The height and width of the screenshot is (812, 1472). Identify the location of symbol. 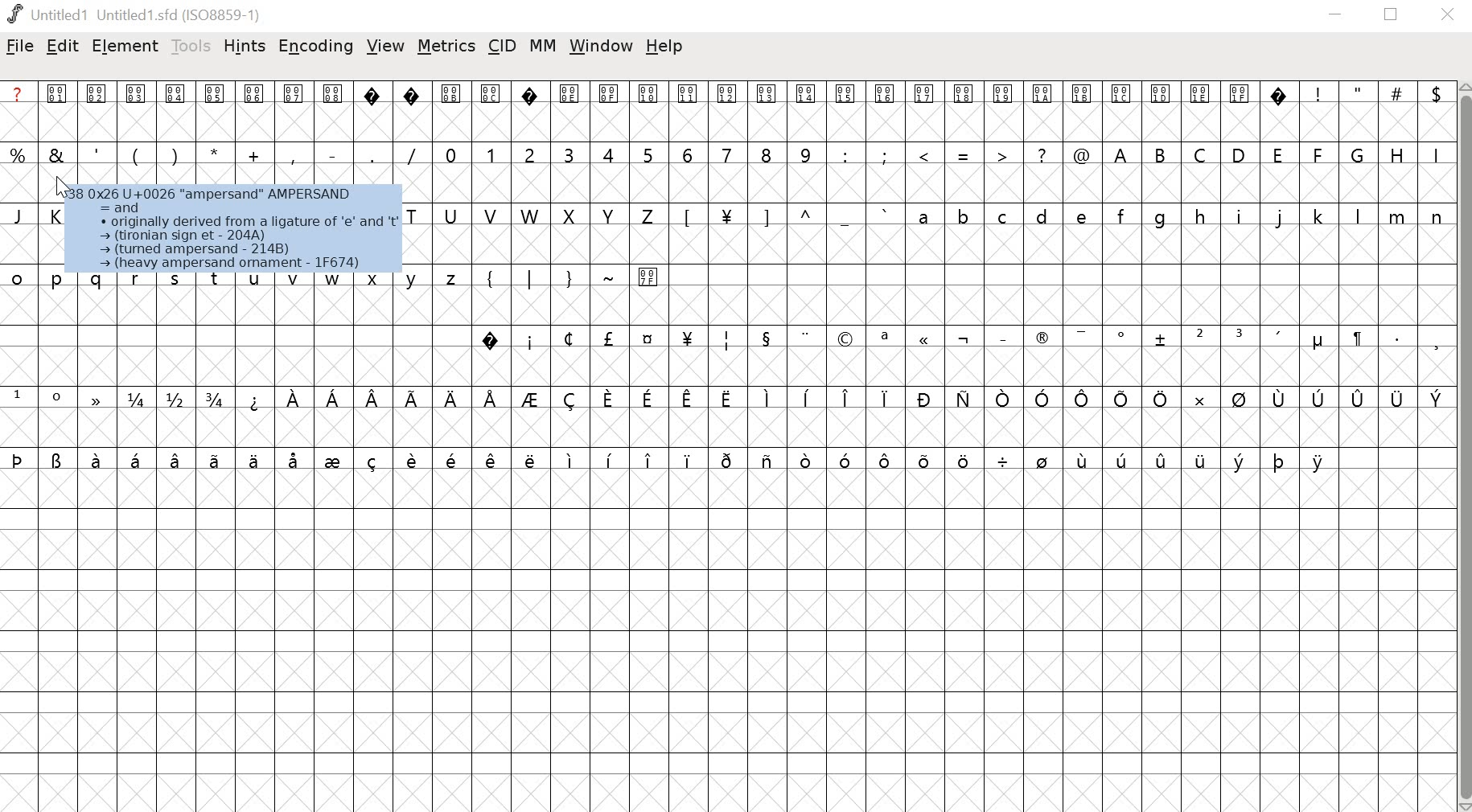
(491, 460).